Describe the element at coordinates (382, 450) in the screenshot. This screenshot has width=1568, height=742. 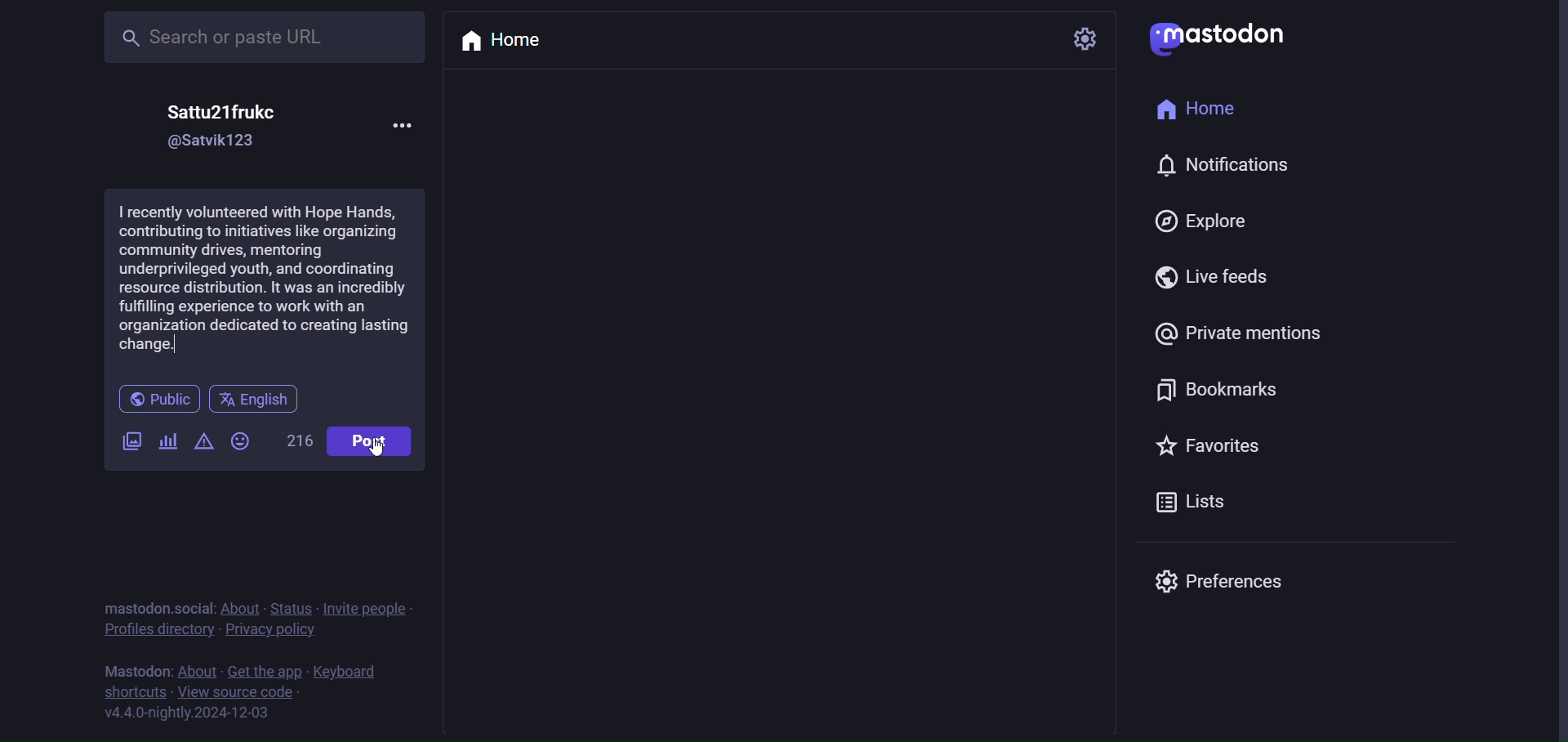
I see `Cursor` at that location.